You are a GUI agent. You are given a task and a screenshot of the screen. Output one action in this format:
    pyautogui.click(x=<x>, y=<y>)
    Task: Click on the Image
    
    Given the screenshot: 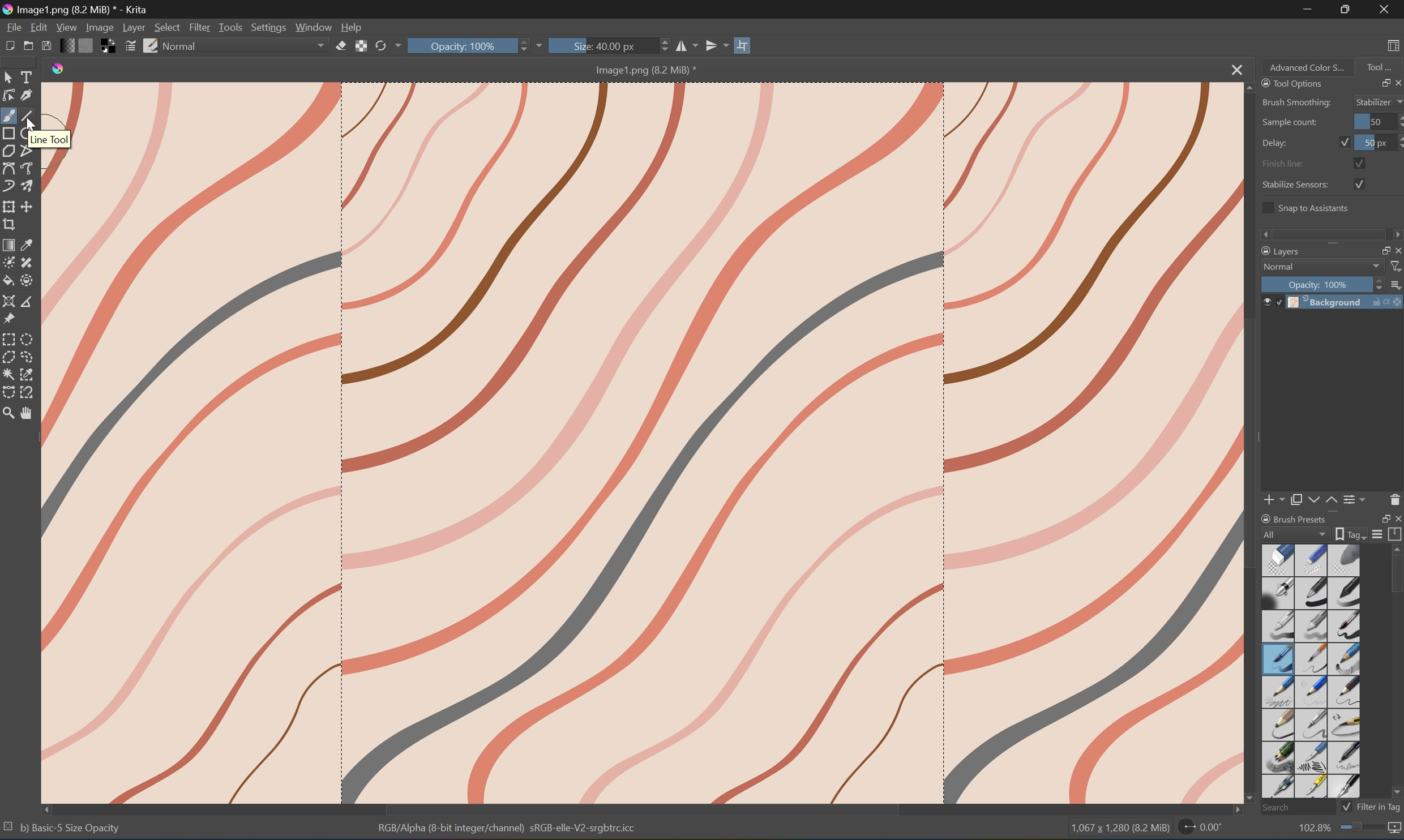 What is the action you would take?
    pyautogui.click(x=657, y=443)
    